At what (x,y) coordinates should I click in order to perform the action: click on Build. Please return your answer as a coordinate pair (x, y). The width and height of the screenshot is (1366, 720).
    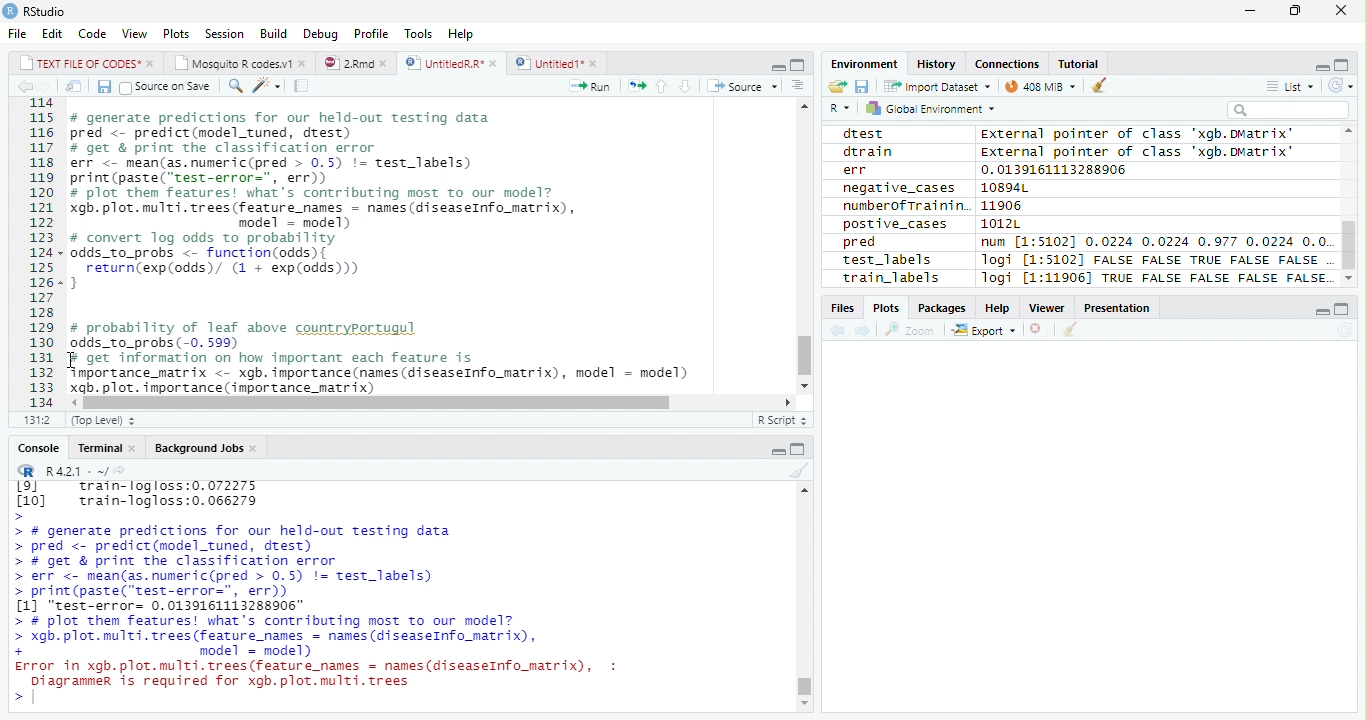
    Looking at the image, I should click on (274, 34).